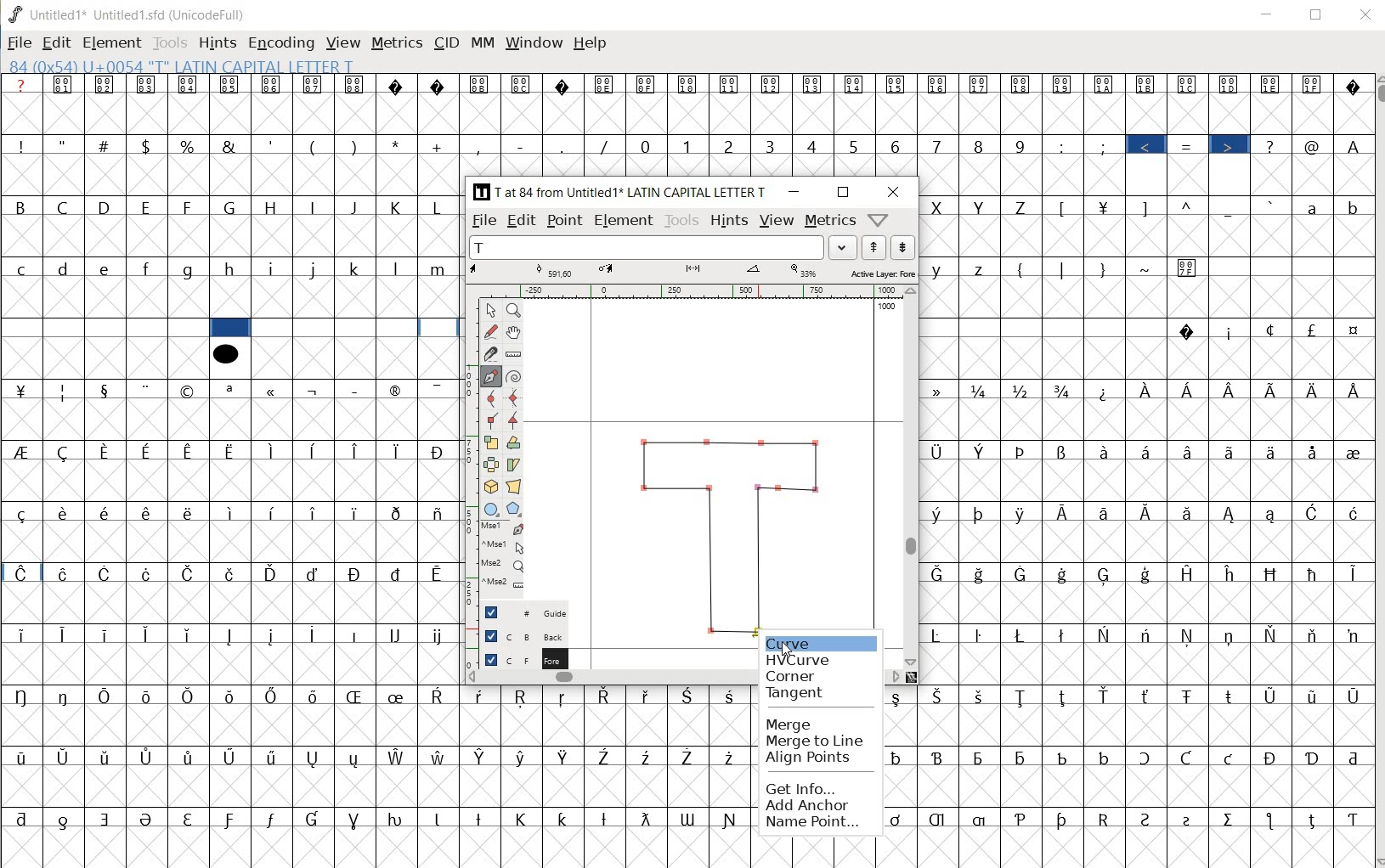 The width and height of the screenshot is (1385, 868). Describe the element at coordinates (1064, 269) in the screenshot. I see `|` at that location.